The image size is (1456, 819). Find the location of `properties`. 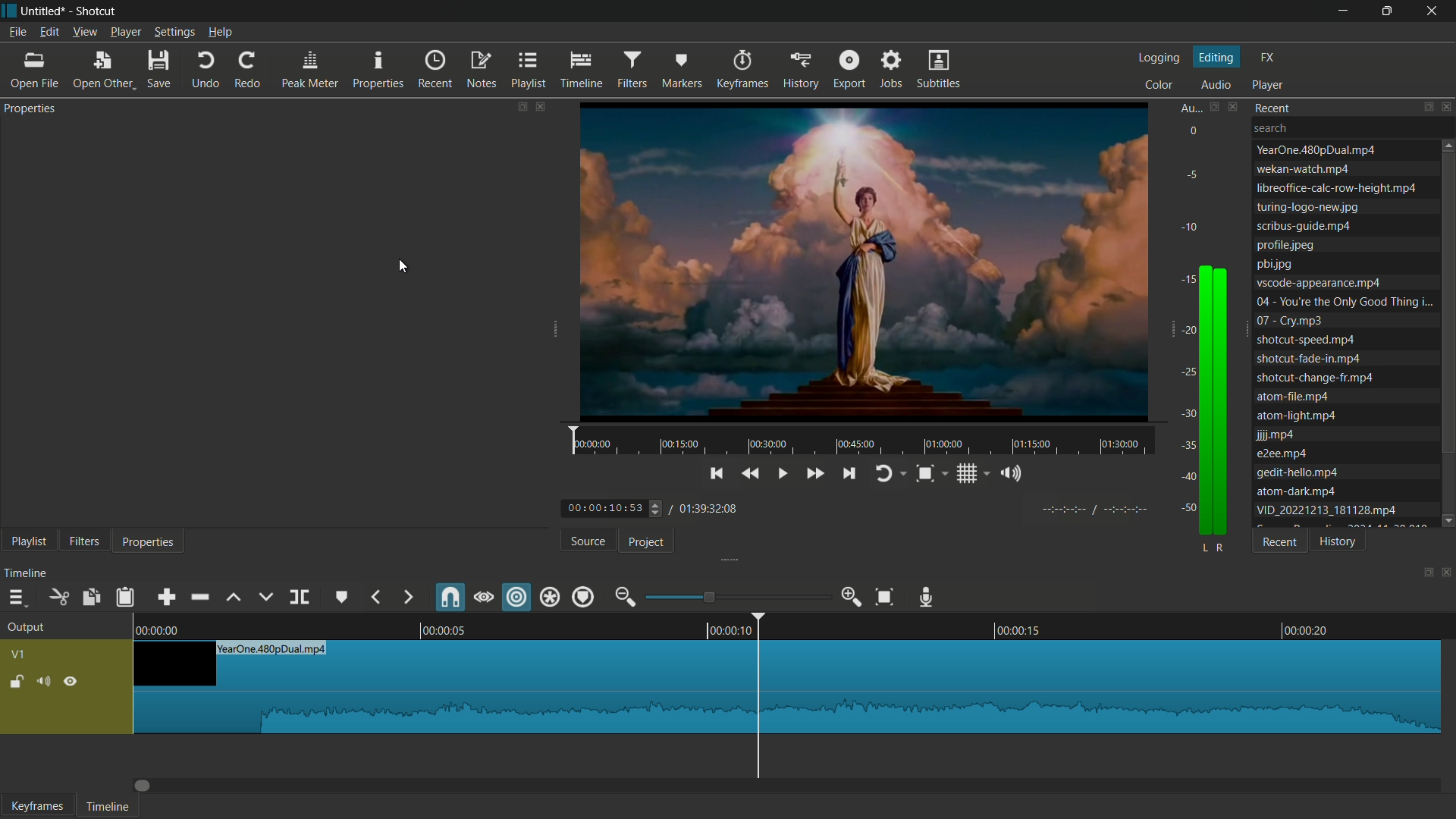

properties is located at coordinates (380, 71).